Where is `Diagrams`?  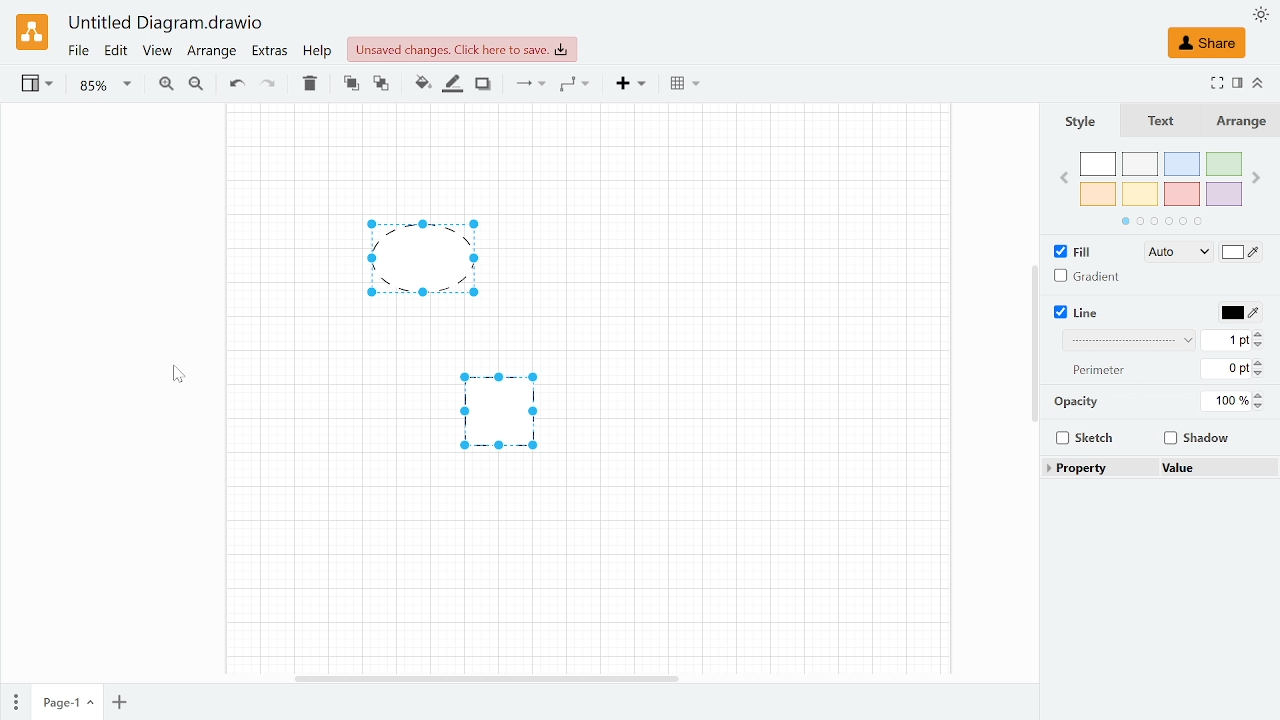
Diagrams is located at coordinates (457, 354).